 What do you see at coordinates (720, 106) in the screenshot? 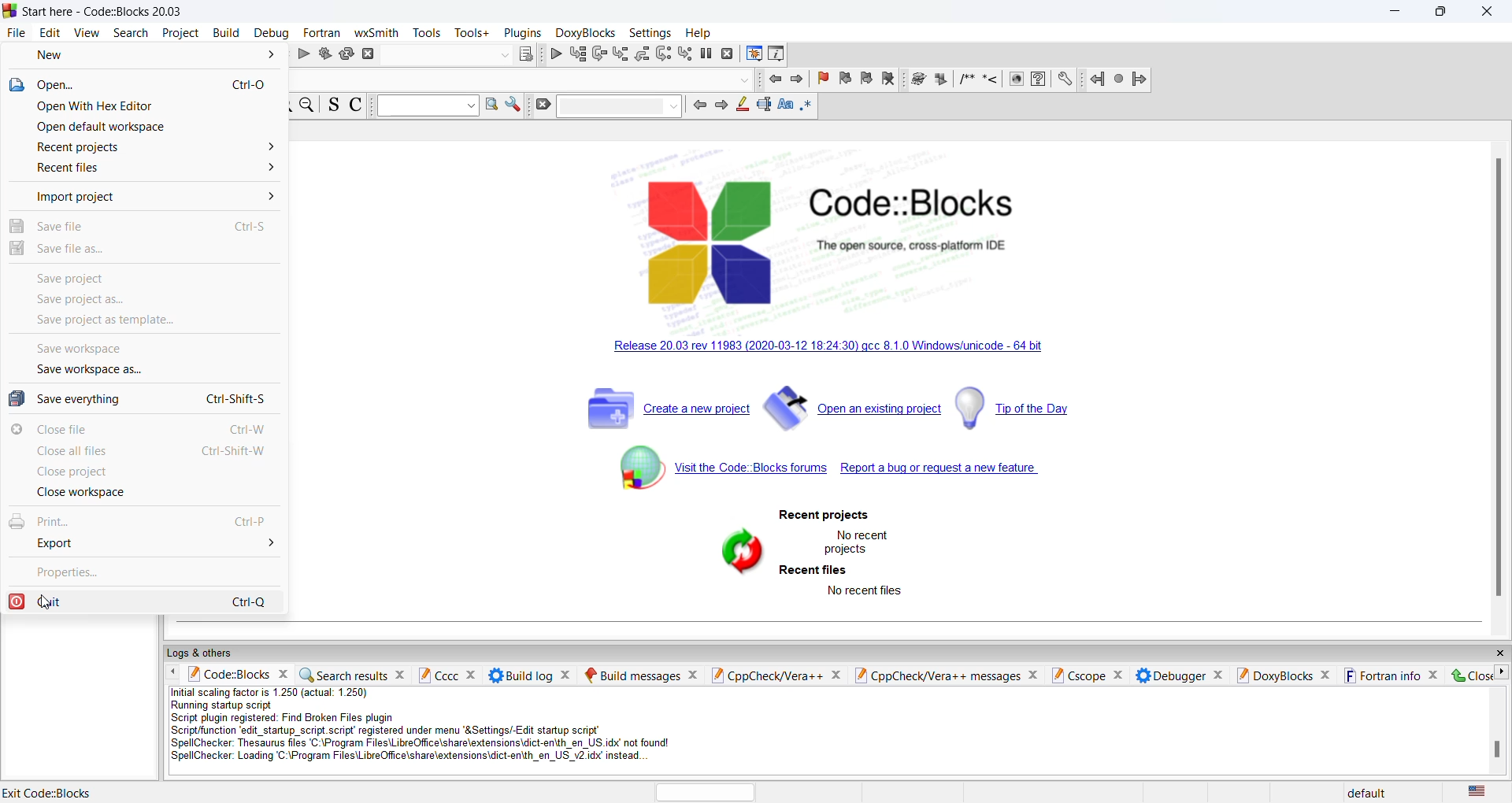
I see `next` at bounding box center [720, 106].